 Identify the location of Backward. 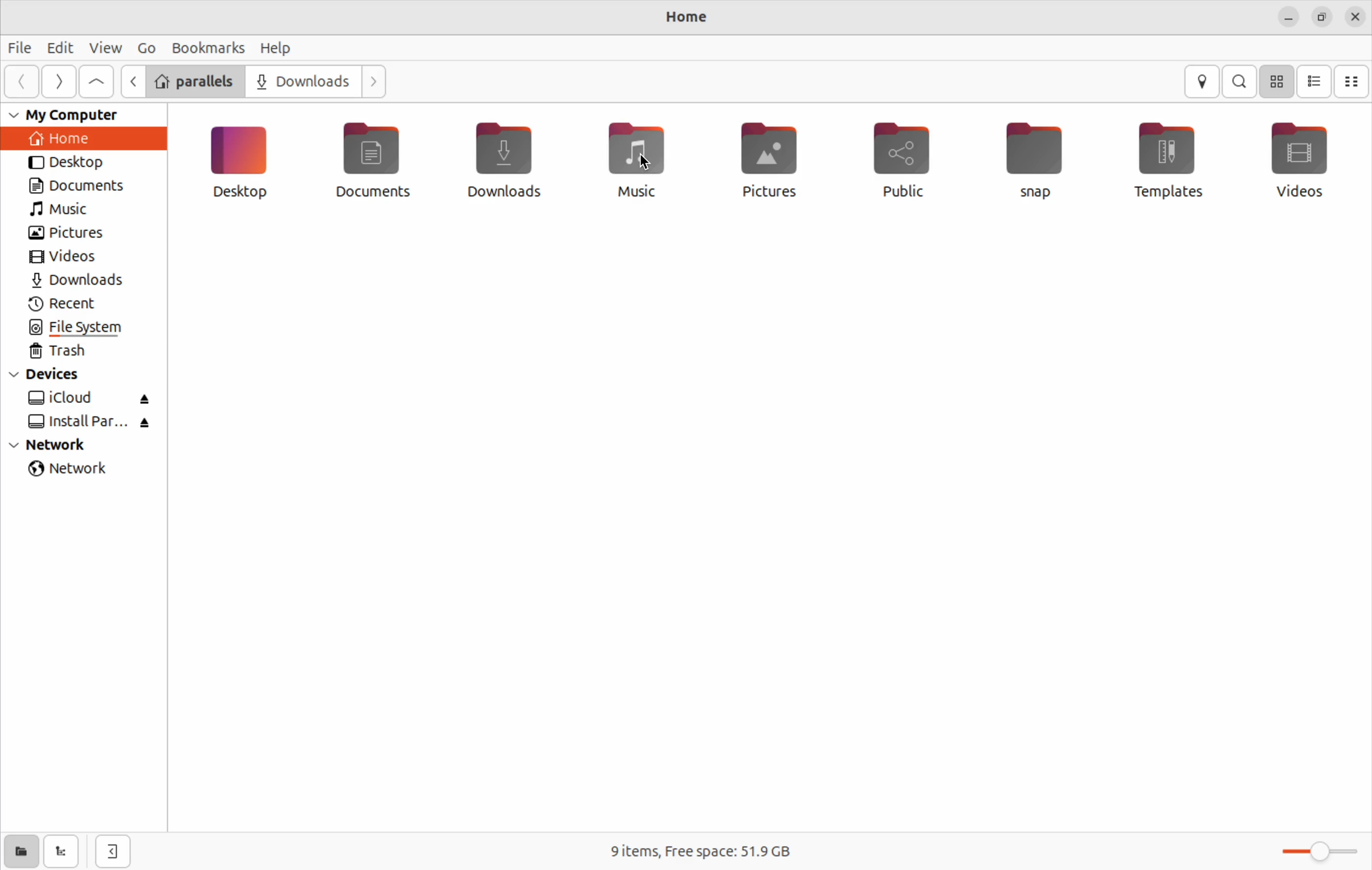
(130, 81).